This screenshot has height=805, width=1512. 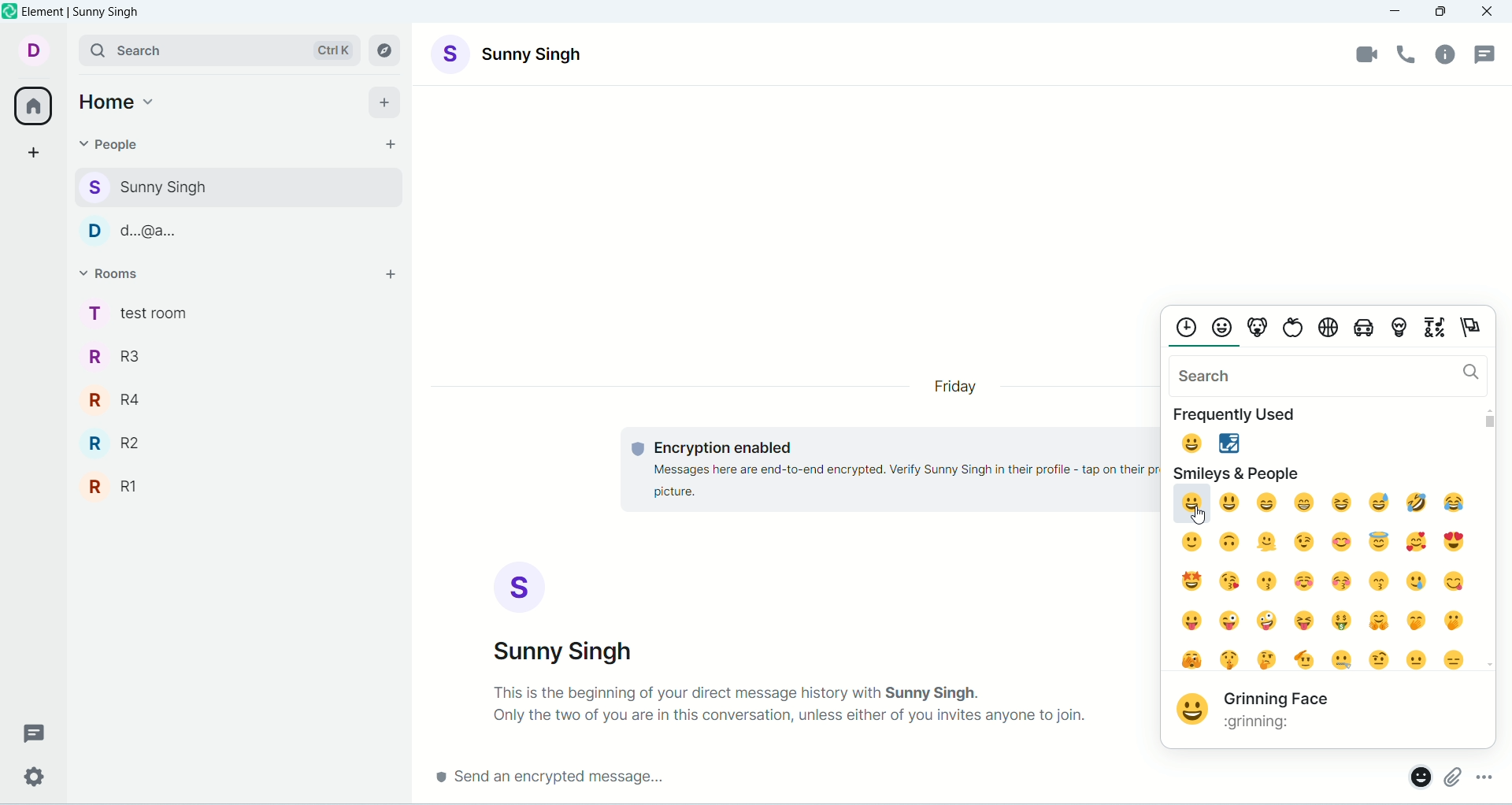 I want to click on threads, so click(x=1488, y=54).